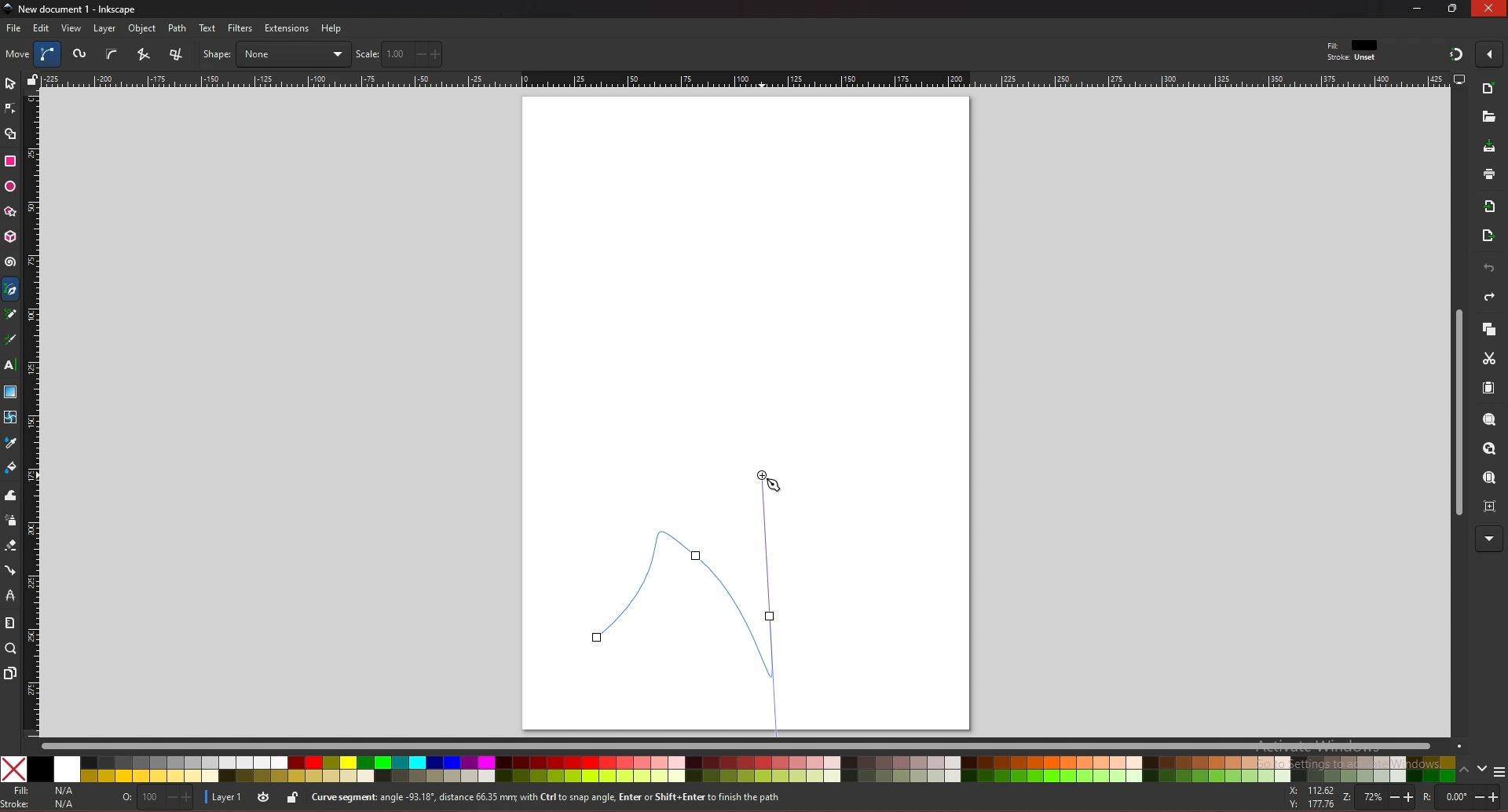 The height and width of the screenshot is (812, 1508). Describe the element at coordinates (13, 341) in the screenshot. I see `calligraphy` at that location.